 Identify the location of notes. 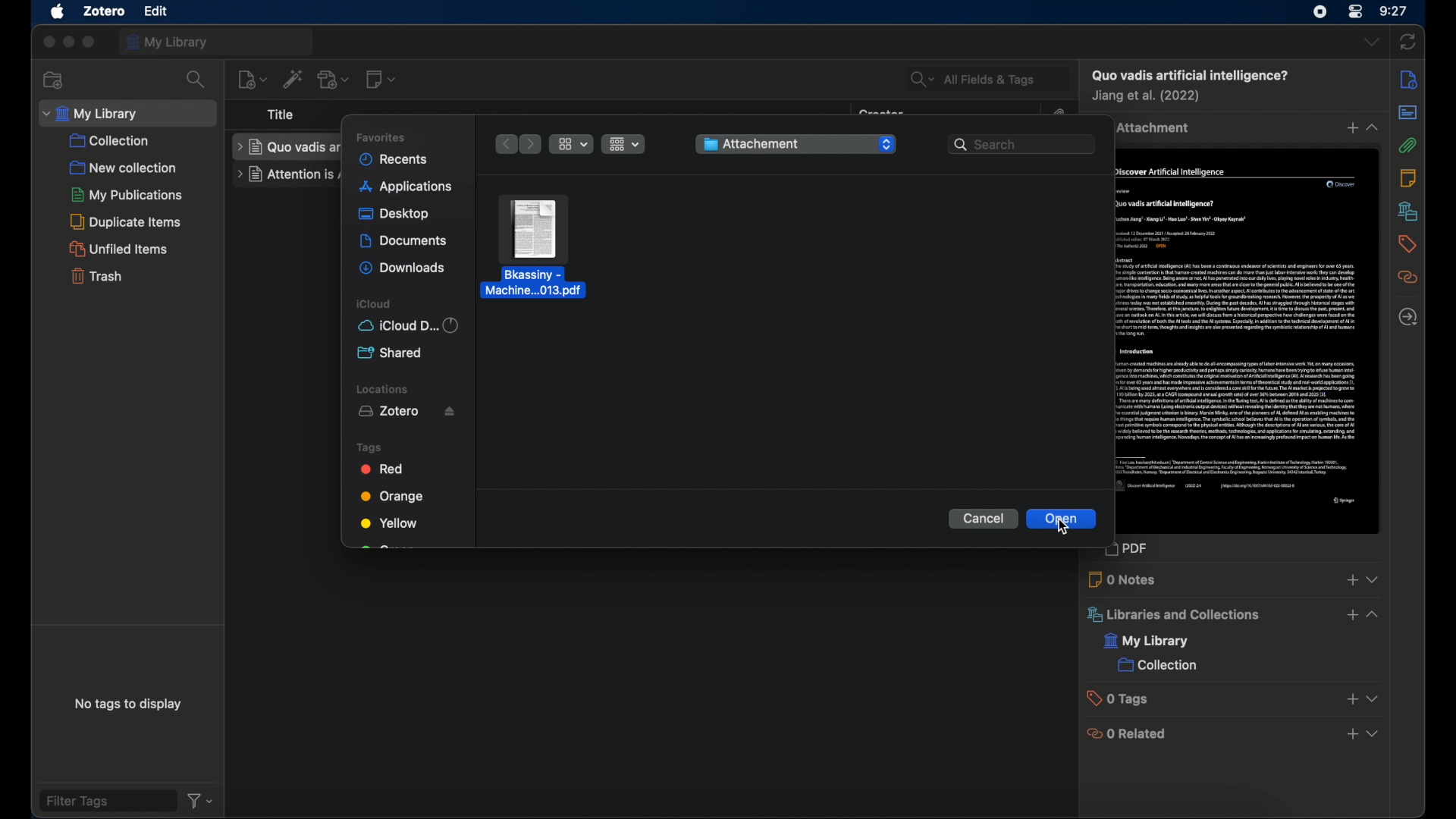
(1408, 177).